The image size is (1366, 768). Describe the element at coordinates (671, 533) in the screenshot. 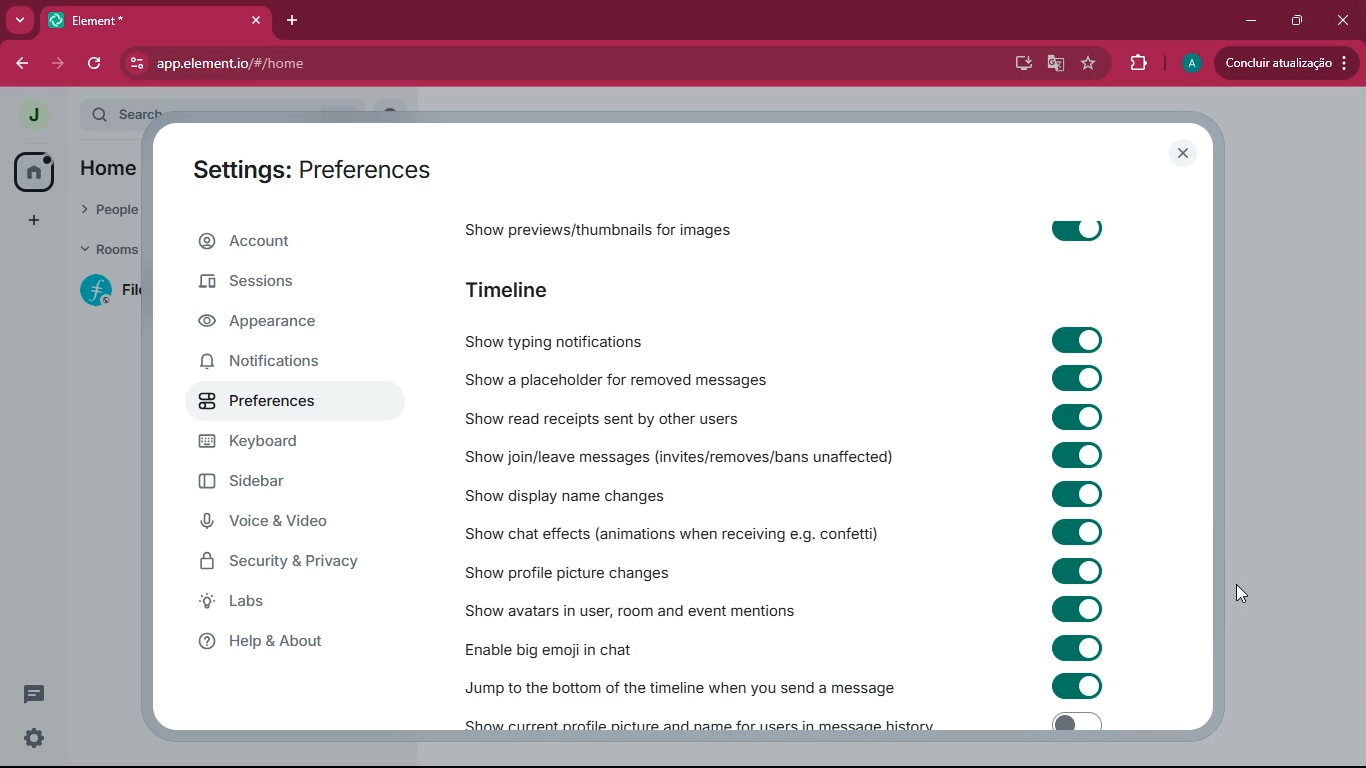

I see `show chat effects (animations when receiving e.g. confetti)` at that location.